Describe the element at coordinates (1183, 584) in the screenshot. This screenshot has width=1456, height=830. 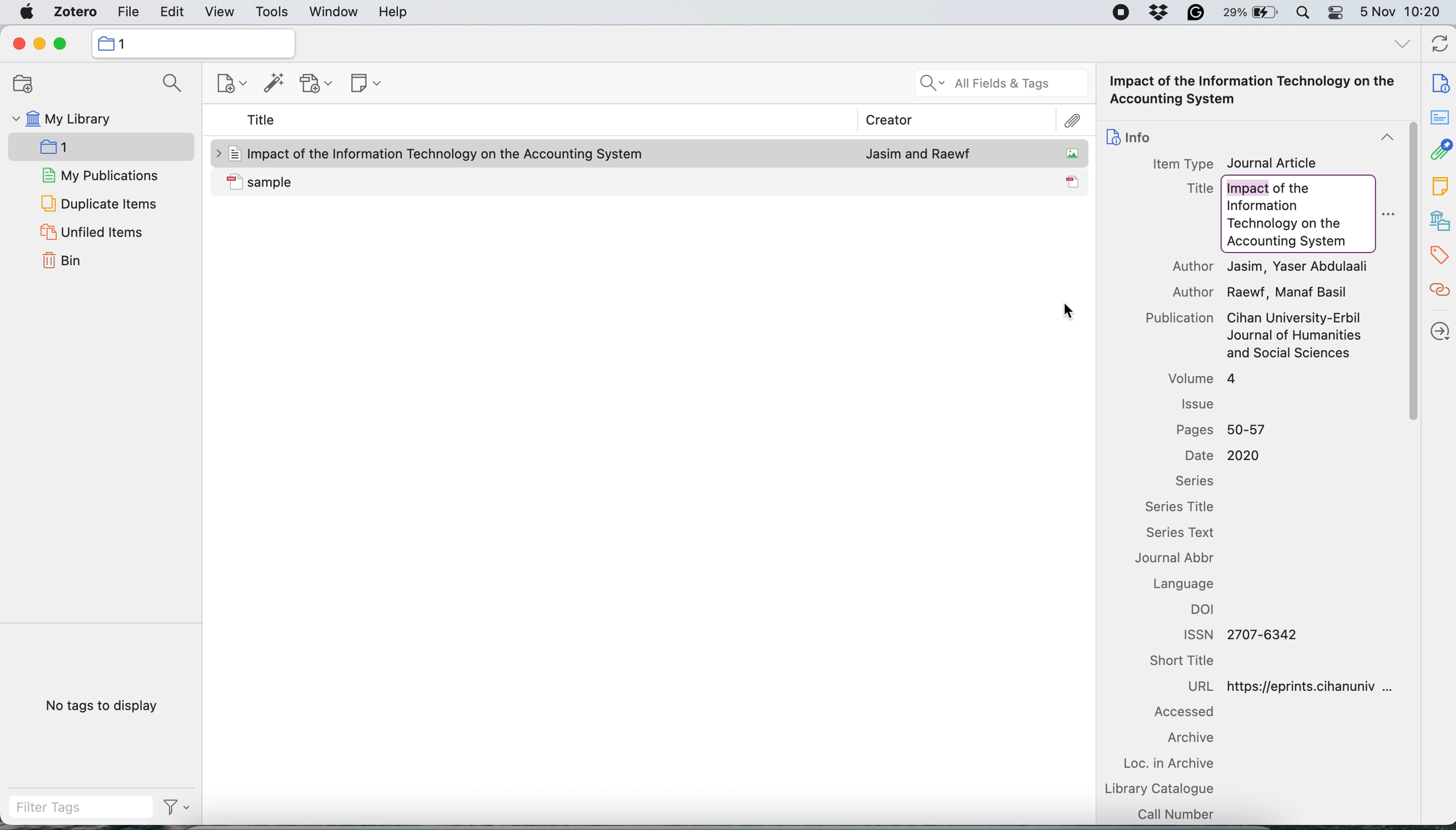
I see `language` at that location.